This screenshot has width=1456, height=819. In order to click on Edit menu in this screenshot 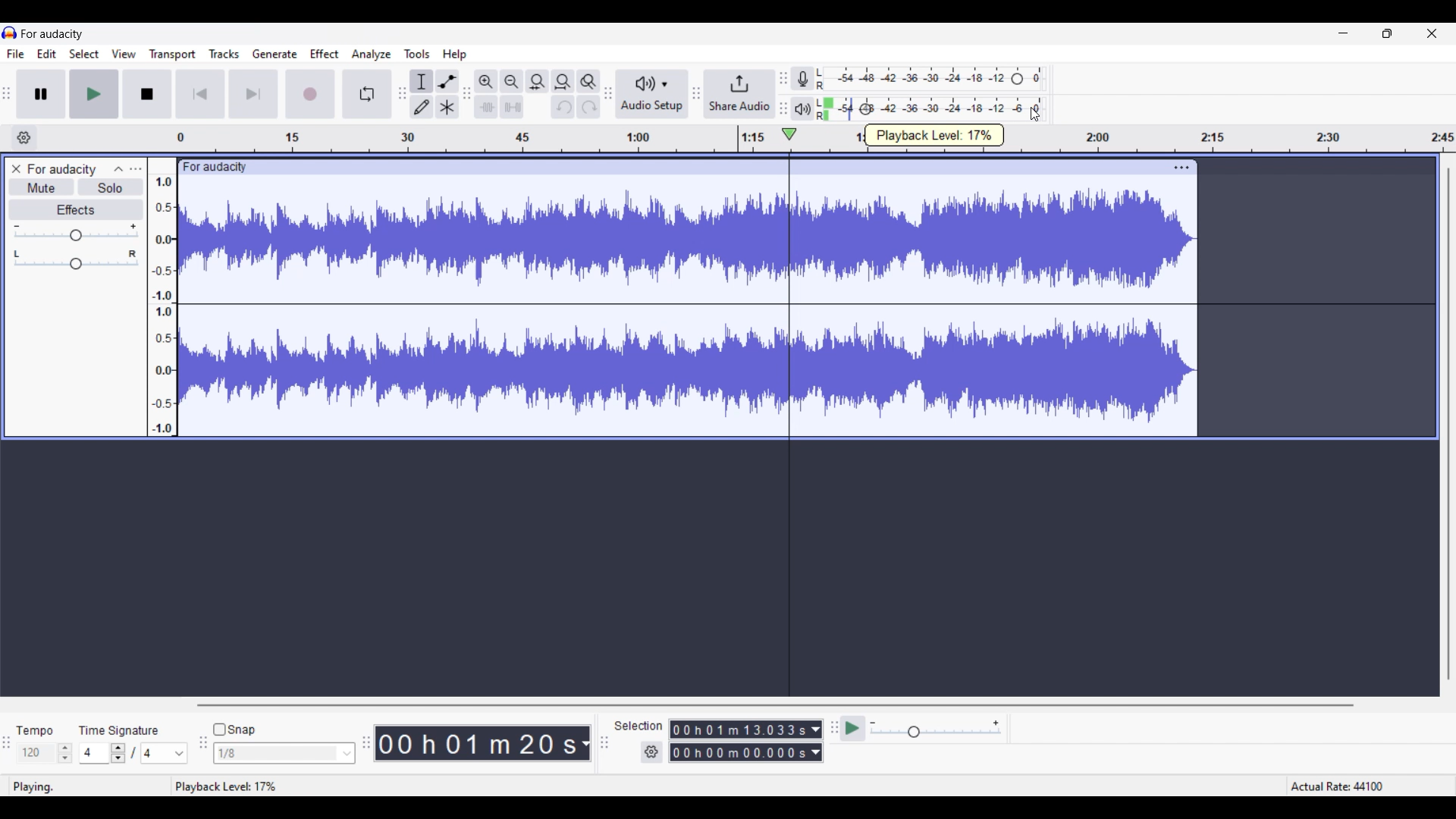, I will do `click(47, 53)`.